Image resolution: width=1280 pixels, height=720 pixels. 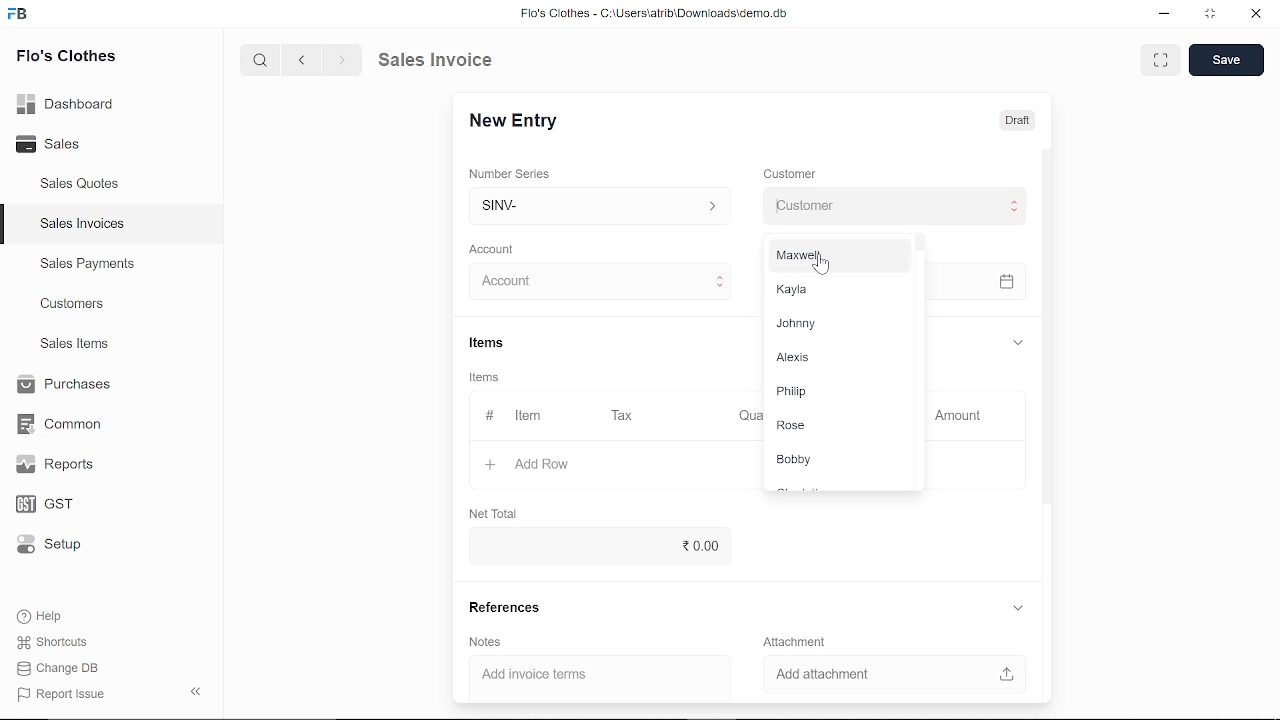 What do you see at coordinates (510, 173) in the screenshot?
I see `‘Number Series` at bounding box center [510, 173].